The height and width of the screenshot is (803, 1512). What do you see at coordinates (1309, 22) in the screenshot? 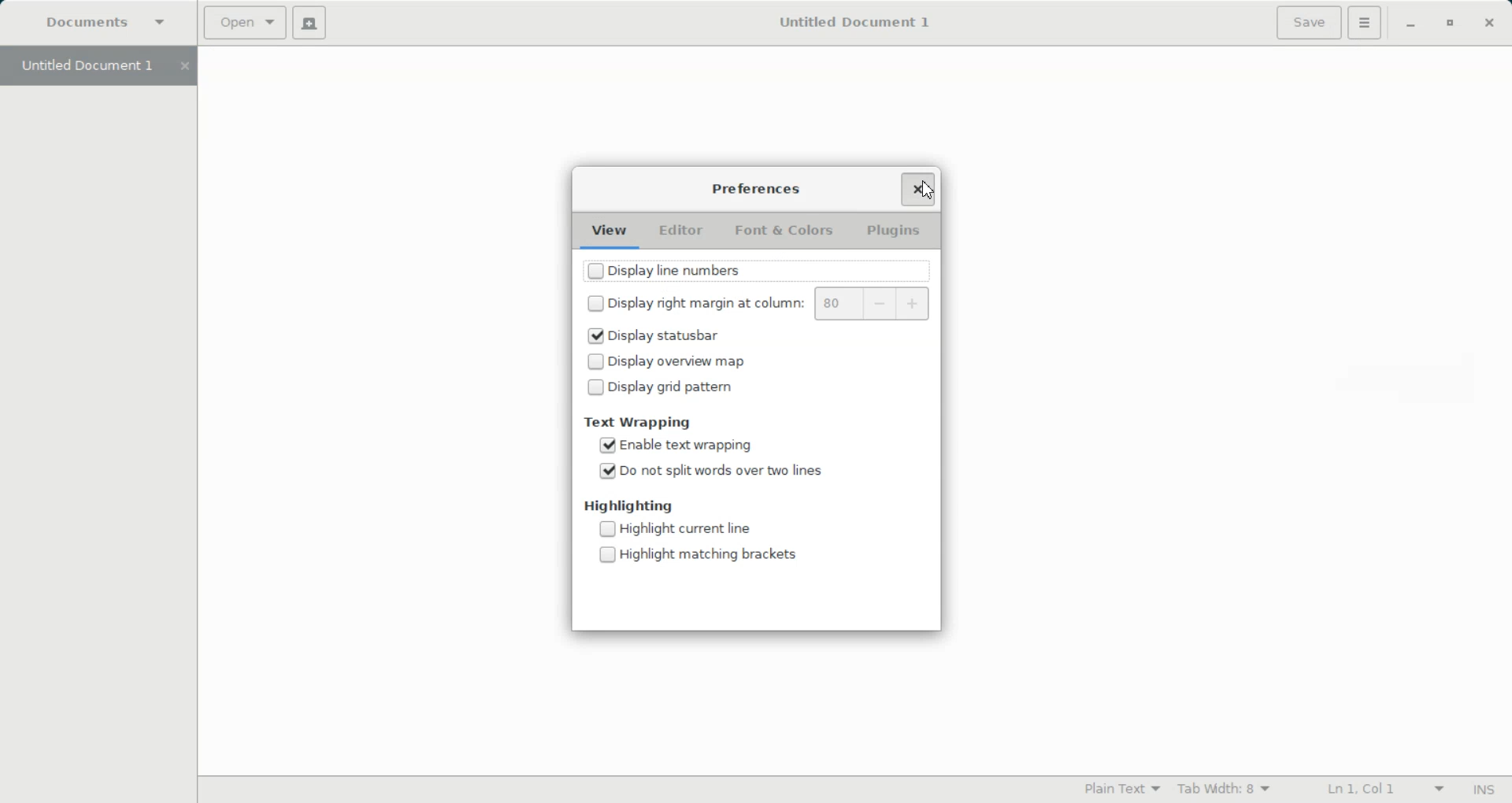
I see `Save` at bounding box center [1309, 22].